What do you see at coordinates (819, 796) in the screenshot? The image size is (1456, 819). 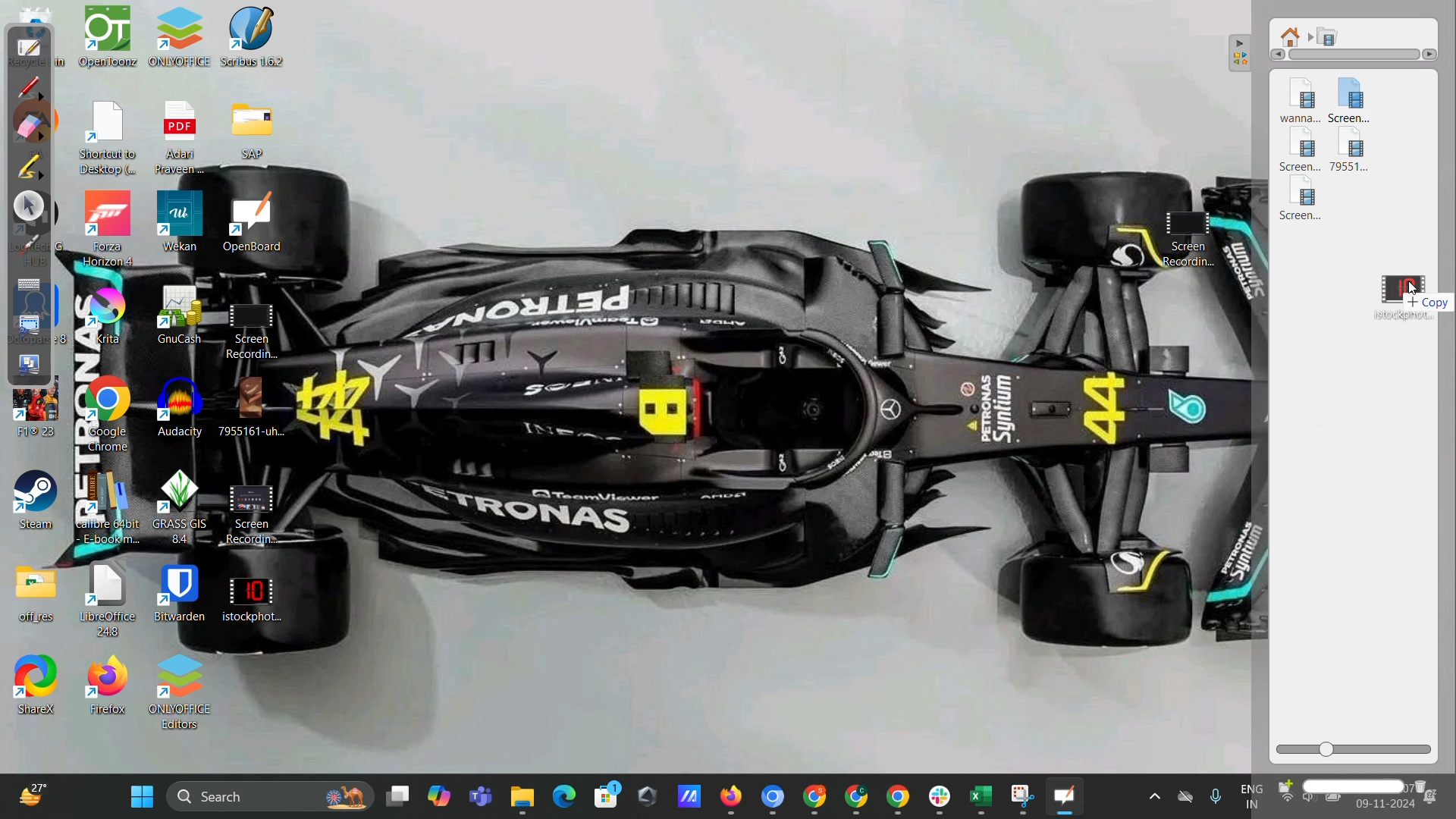 I see `minimized google chrome` at bounding box center [819, 796].